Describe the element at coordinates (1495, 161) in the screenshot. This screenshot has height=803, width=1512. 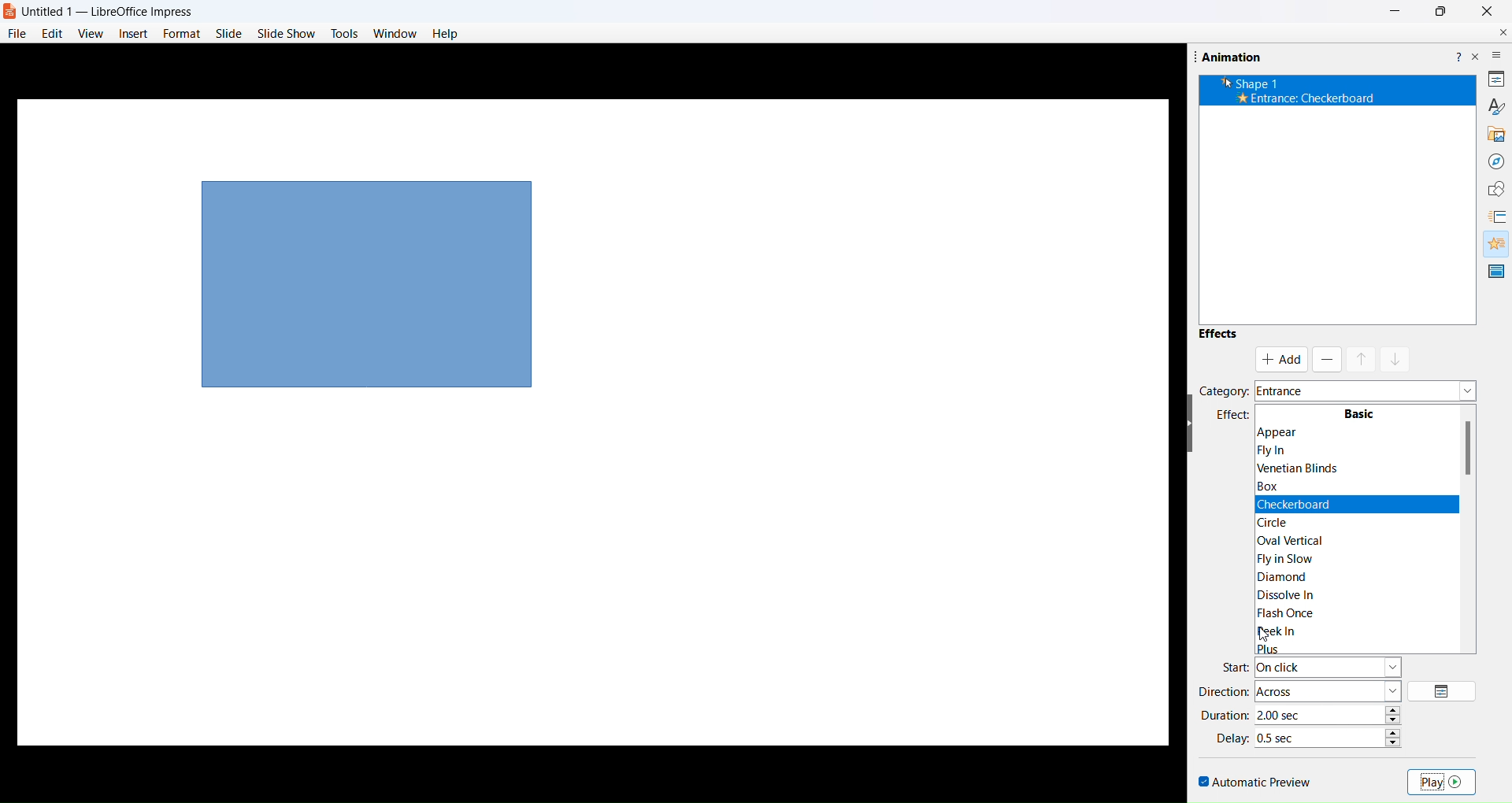
I see `navigator` at that location.